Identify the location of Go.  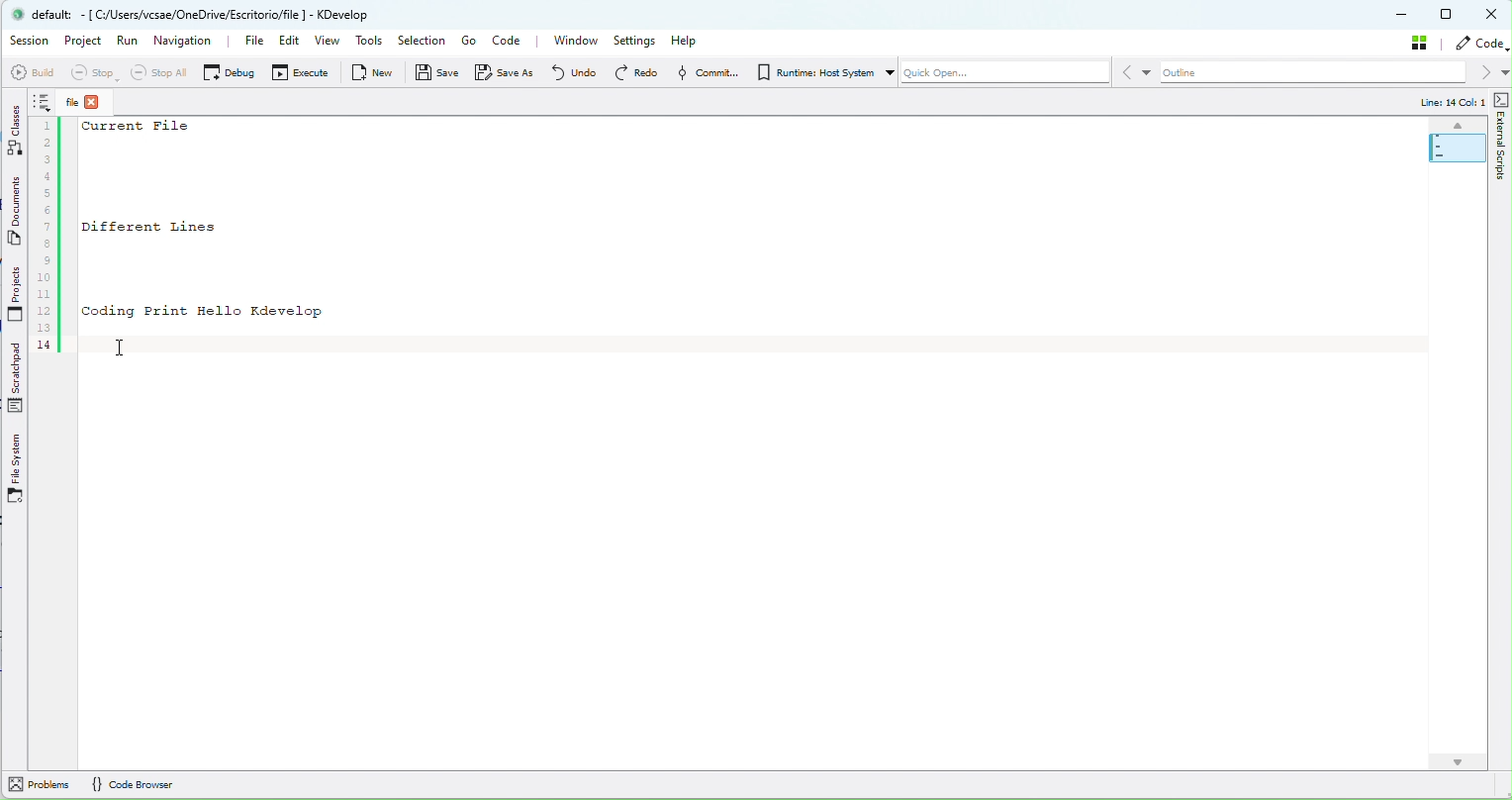
(468, 41).